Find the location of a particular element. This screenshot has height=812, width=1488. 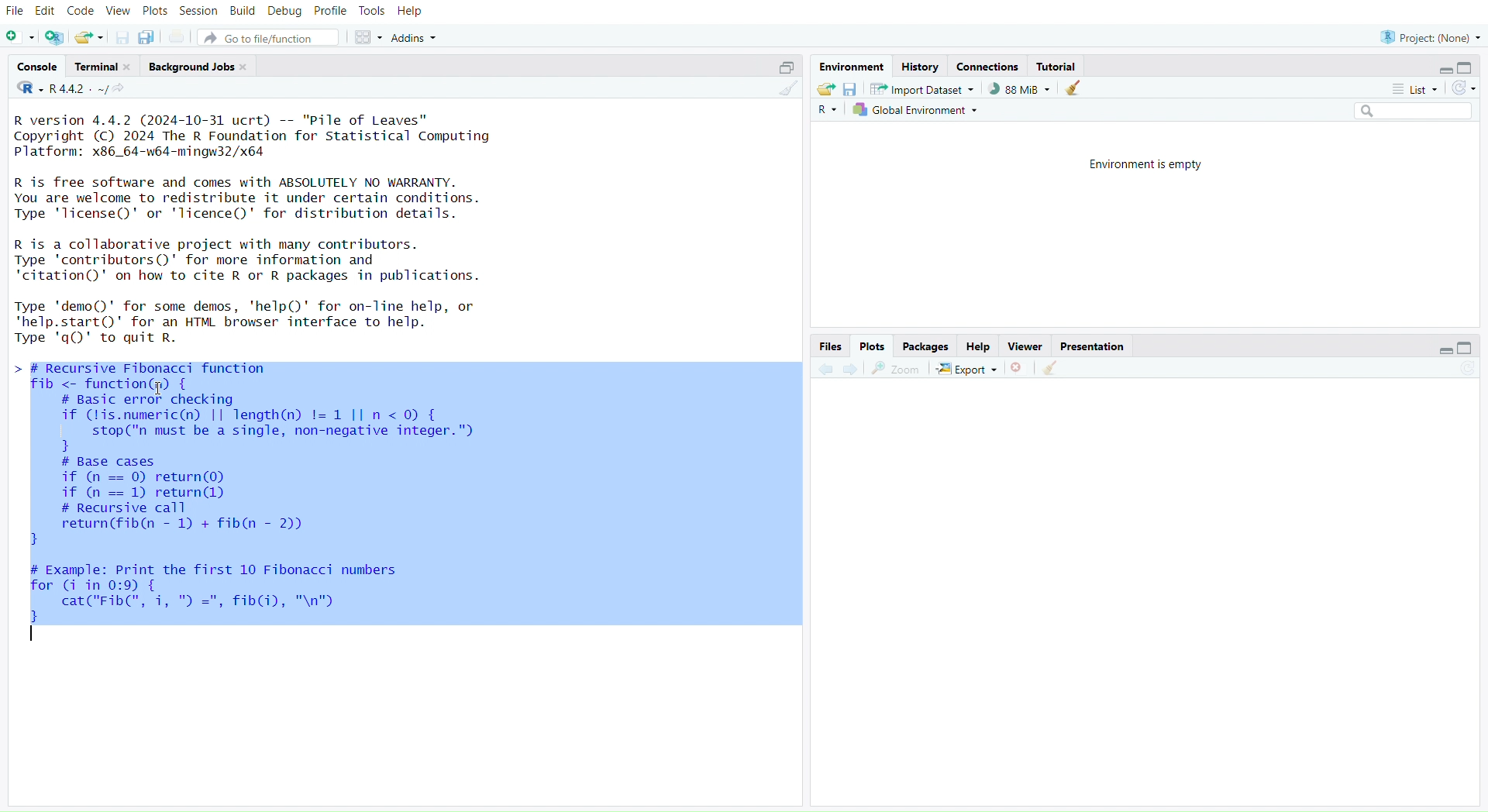

forward is located at coordinates (856, 370).